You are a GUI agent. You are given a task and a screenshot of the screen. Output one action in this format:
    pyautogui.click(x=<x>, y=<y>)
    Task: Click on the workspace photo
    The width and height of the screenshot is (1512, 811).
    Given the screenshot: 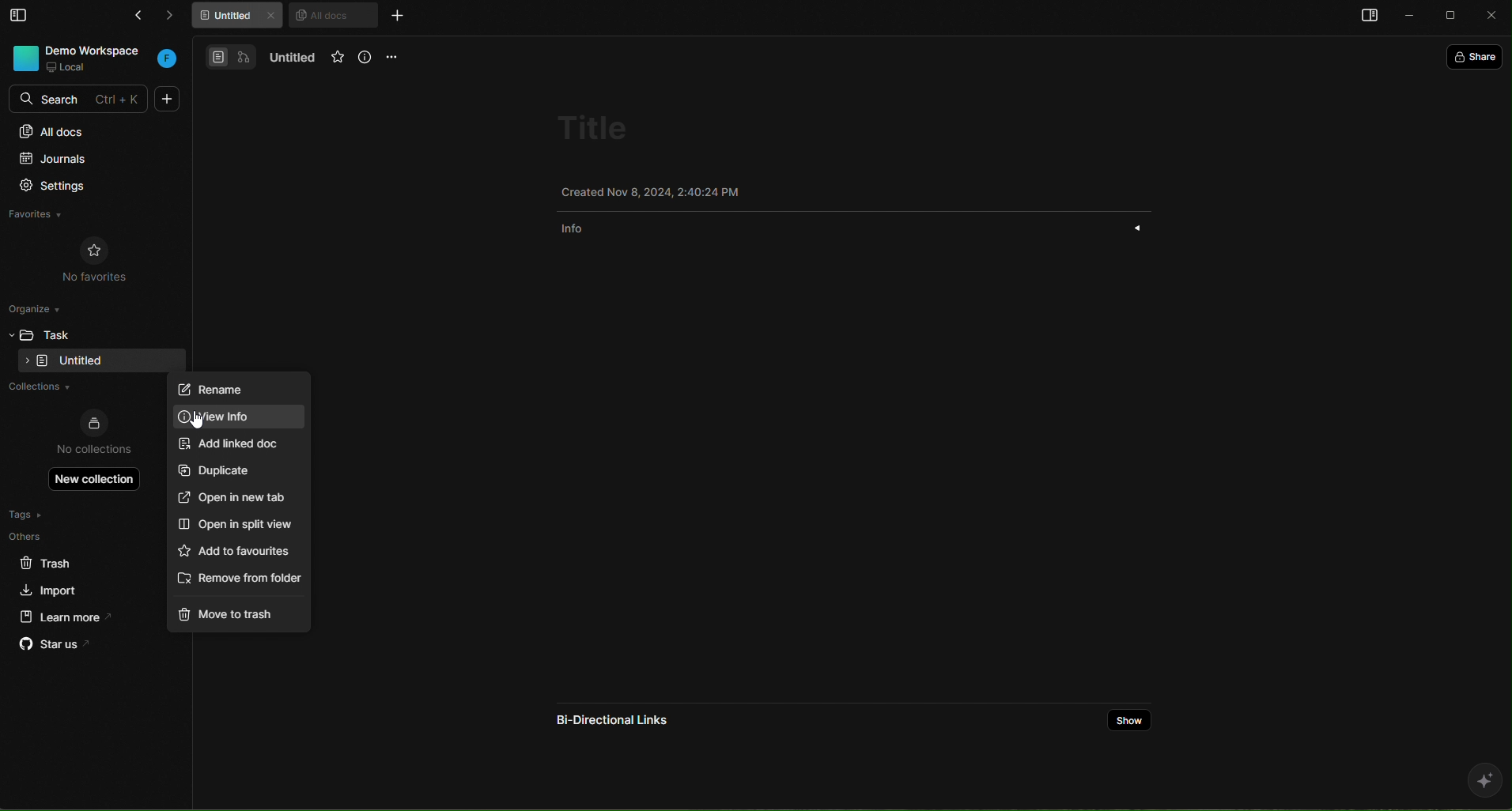 What is the action you would take?
    pyautogui.click(x=24, y=57)
    